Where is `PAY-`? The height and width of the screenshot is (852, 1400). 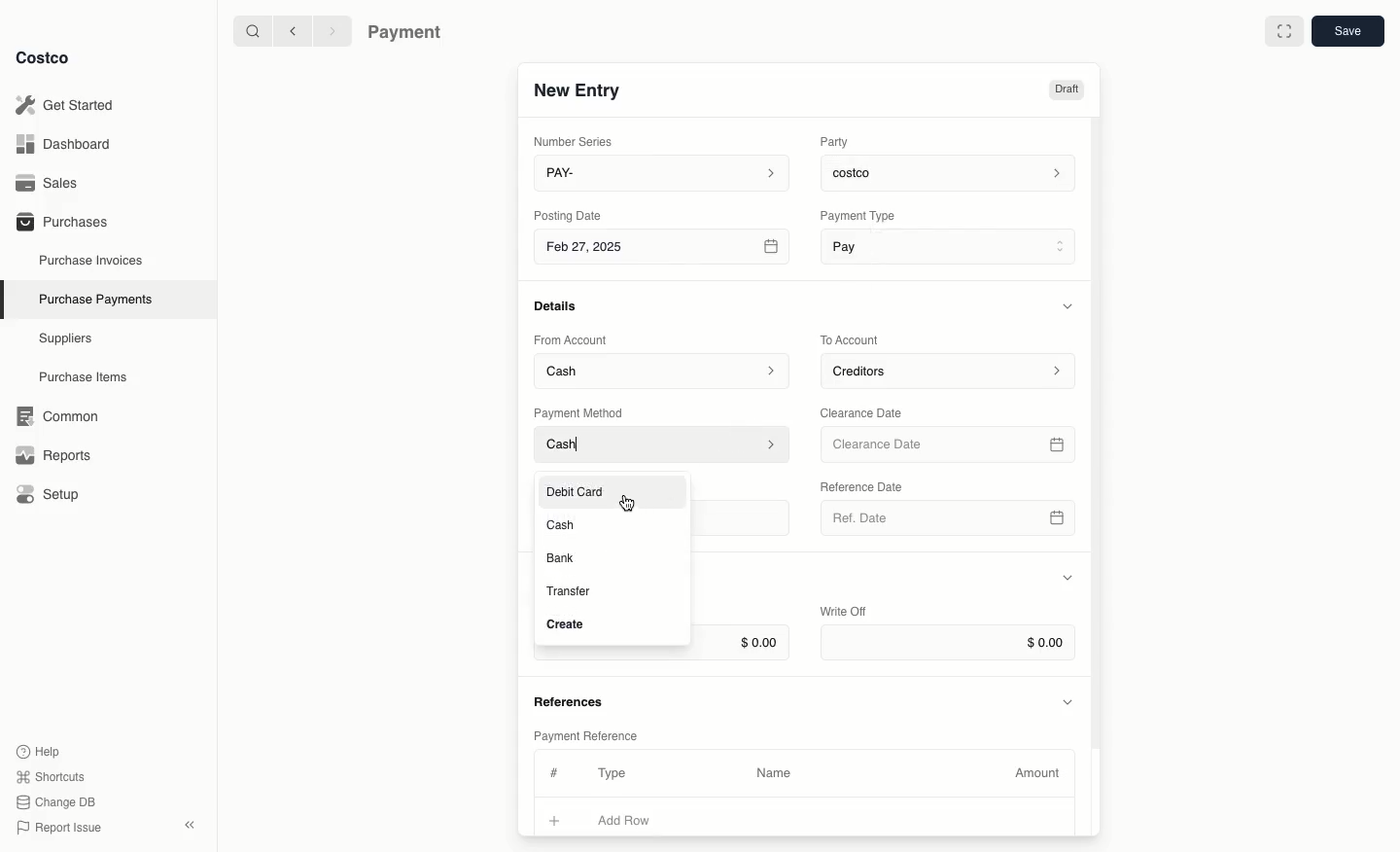
PAY- is located at coordinates (663, 172).